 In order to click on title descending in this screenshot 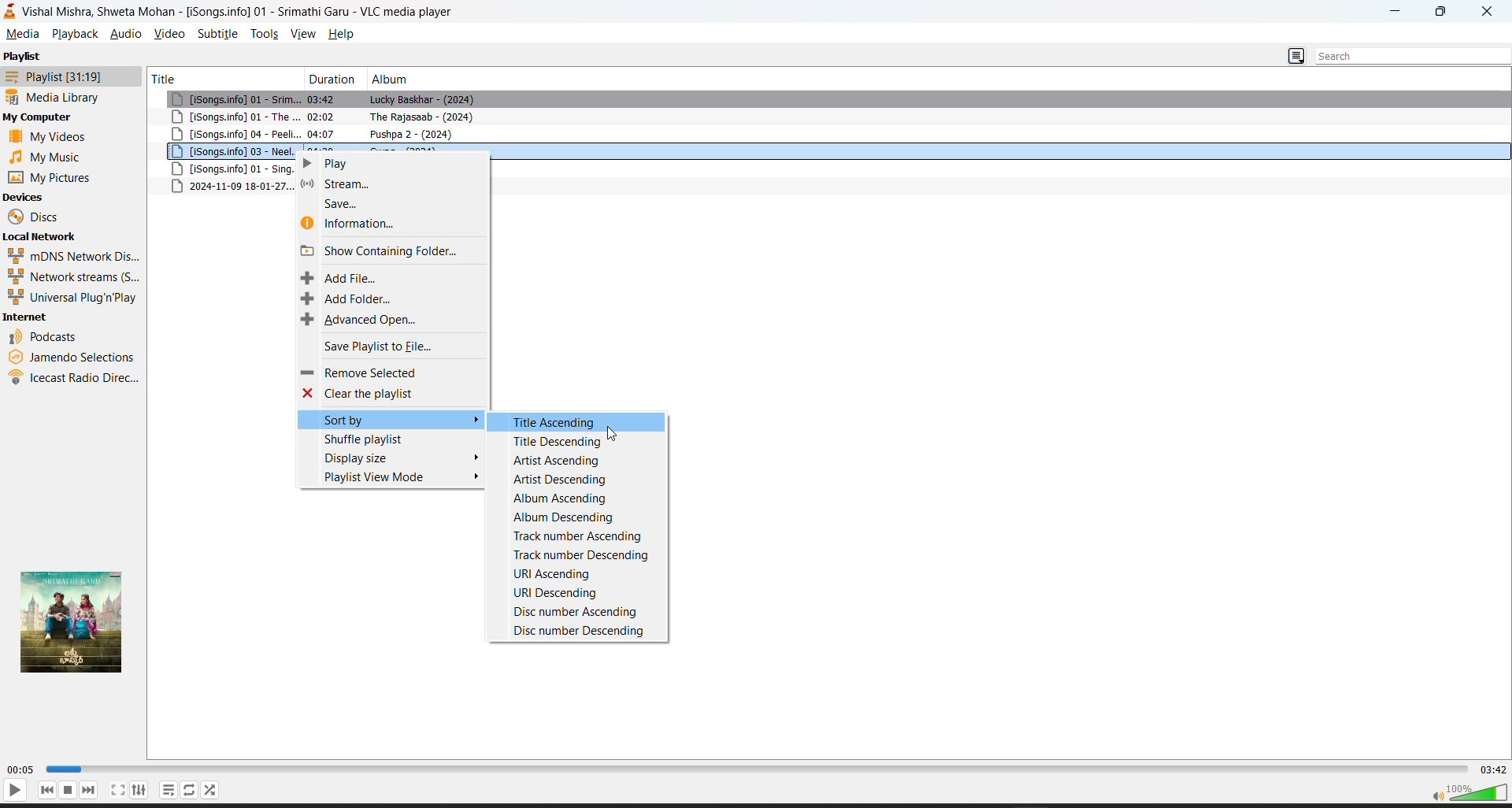, I will do `click(577, 440)`.